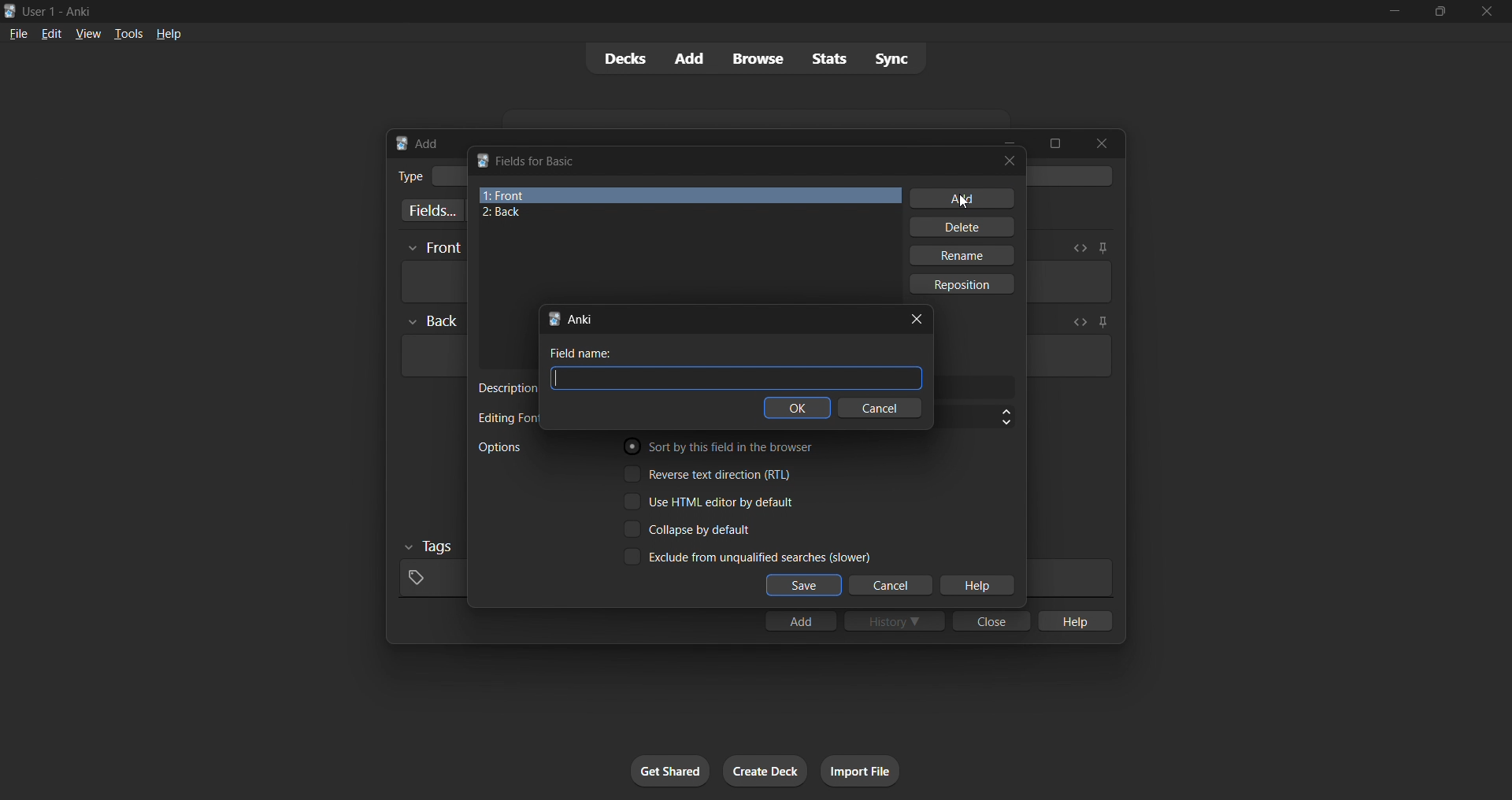 This screenshot has height=800, width=1512. What do you see at coordinates (428, 143) in the screenshot?
I see `add title bar` at bounding box center [428, 143].